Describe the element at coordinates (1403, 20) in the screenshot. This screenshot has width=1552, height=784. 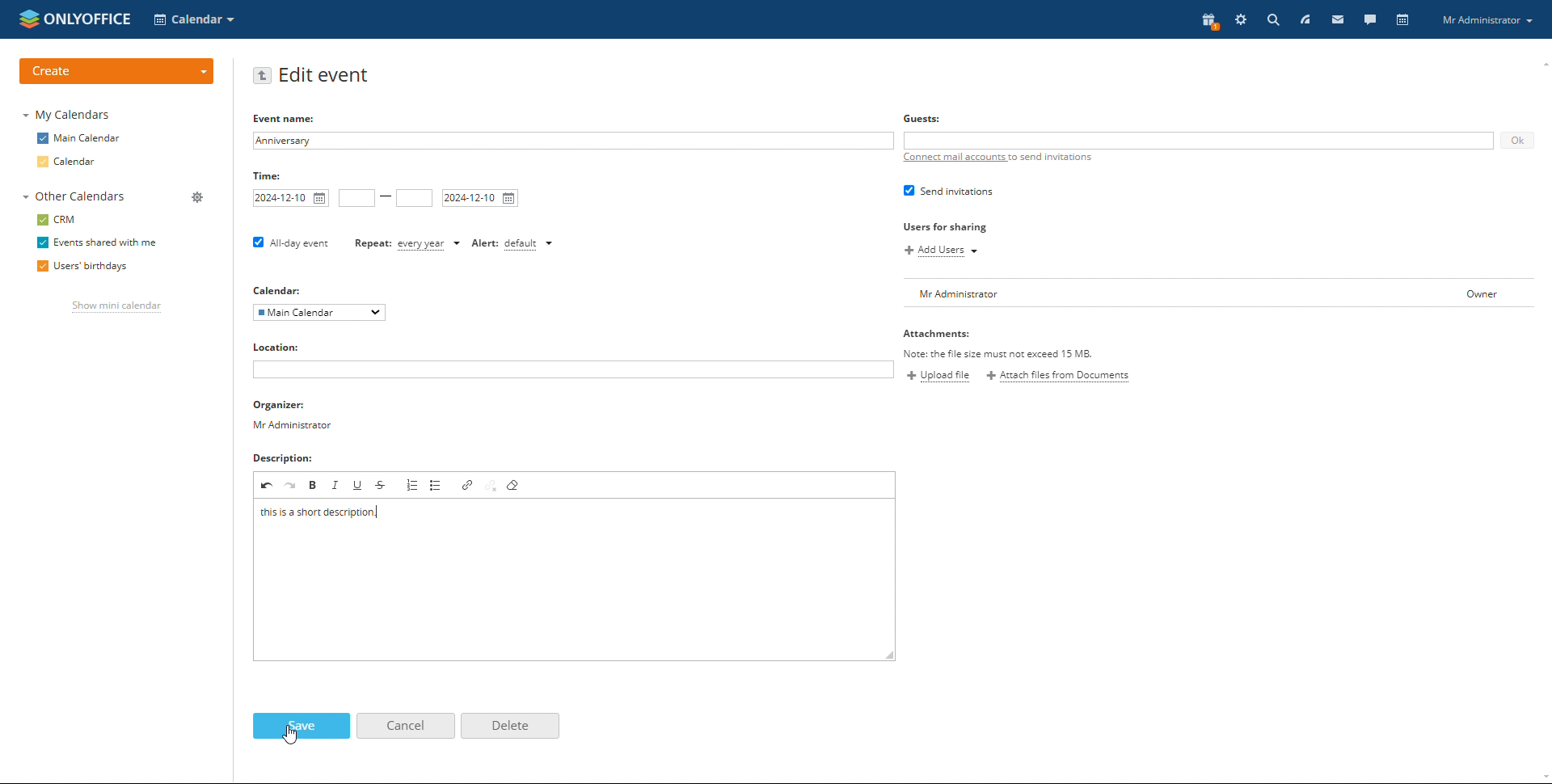
I see `calendar` at that location.